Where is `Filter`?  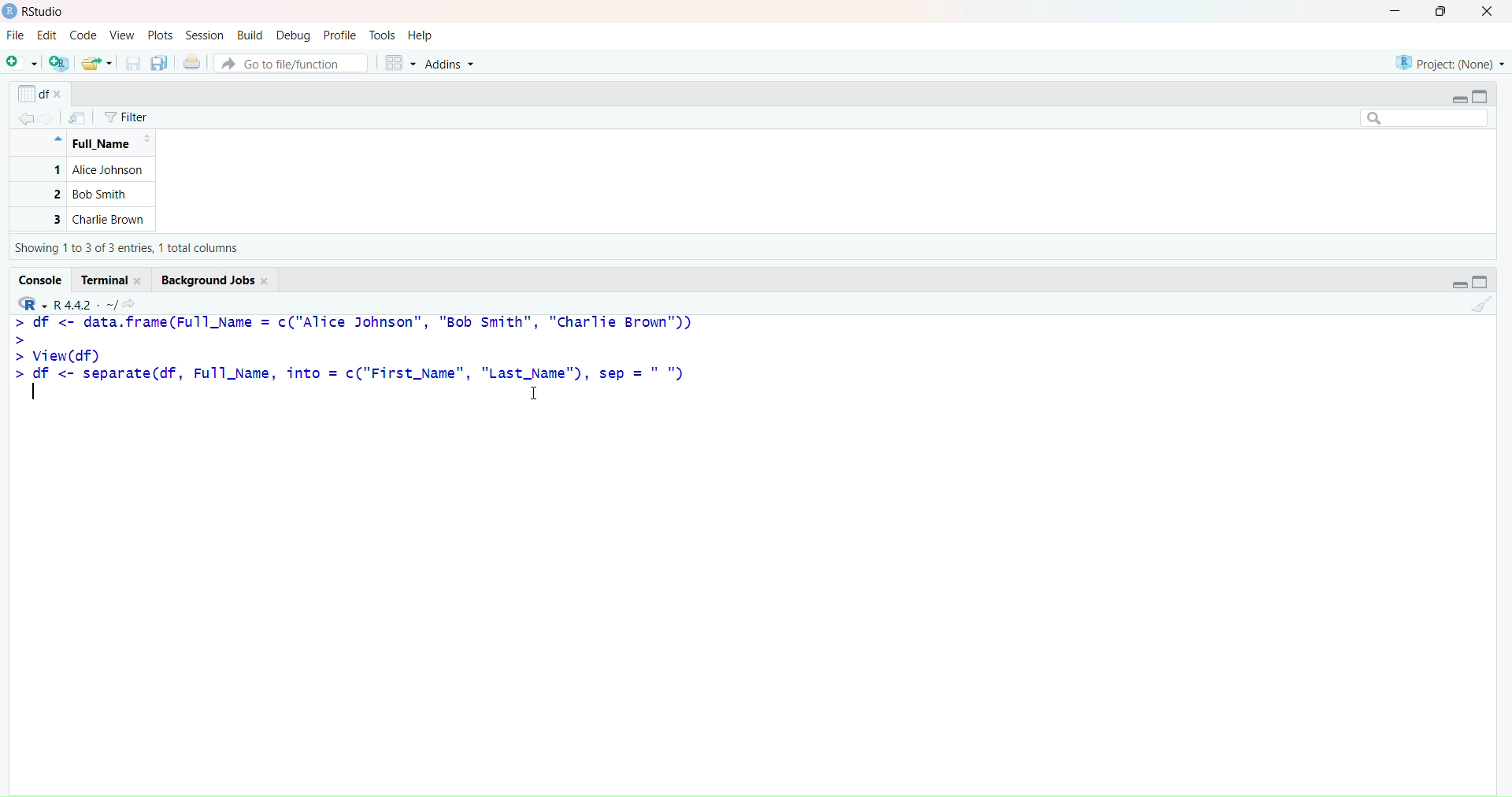
Filter is located at coordinates (127, 117).